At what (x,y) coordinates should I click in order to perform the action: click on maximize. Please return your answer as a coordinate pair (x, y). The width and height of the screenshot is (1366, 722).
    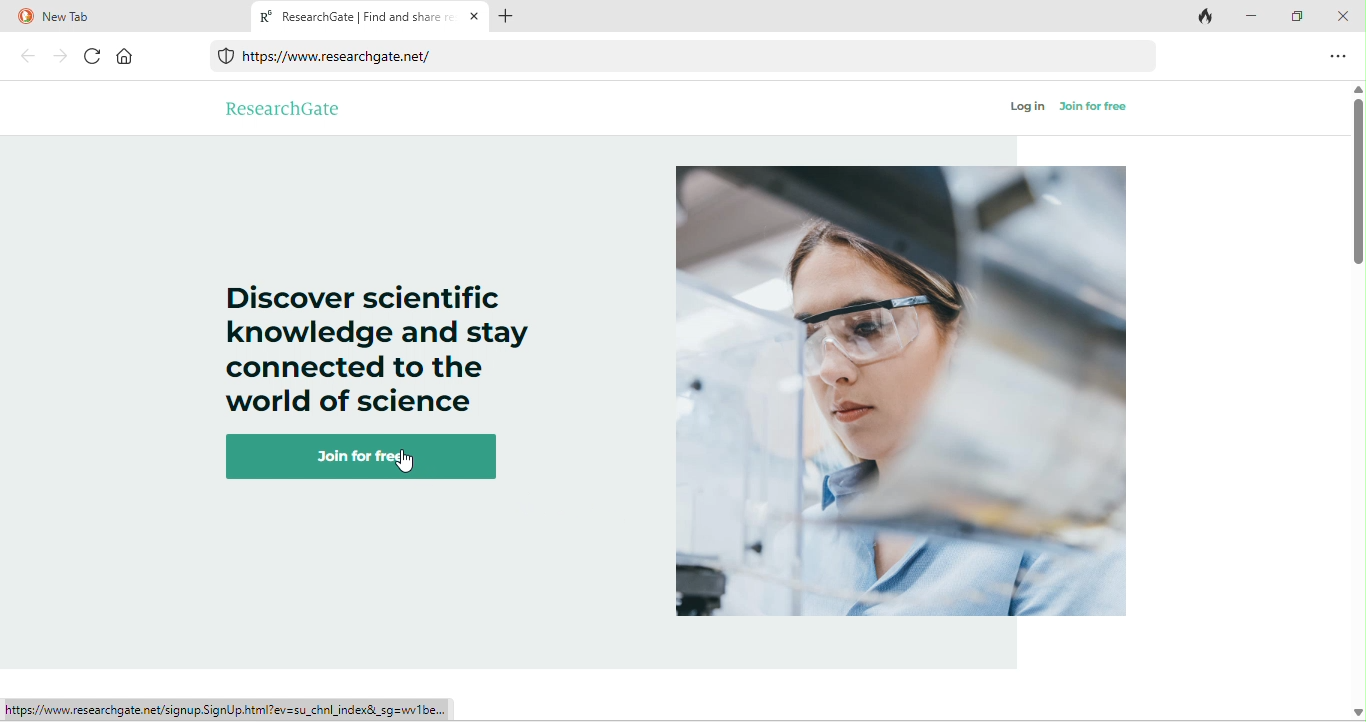
    Looking at the image, I should click on (1295, 18).